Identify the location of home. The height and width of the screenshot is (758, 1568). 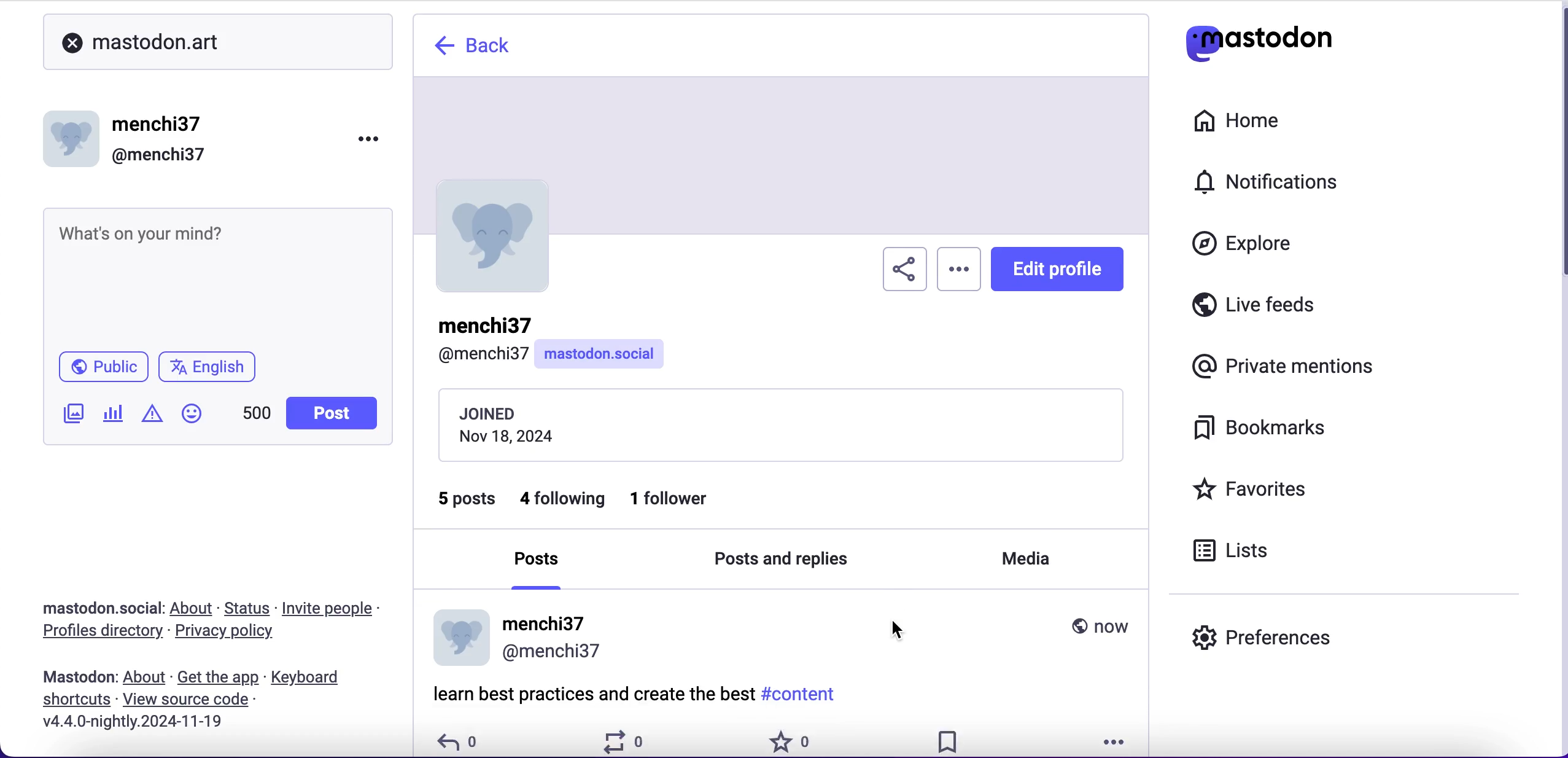
(1252, 122).